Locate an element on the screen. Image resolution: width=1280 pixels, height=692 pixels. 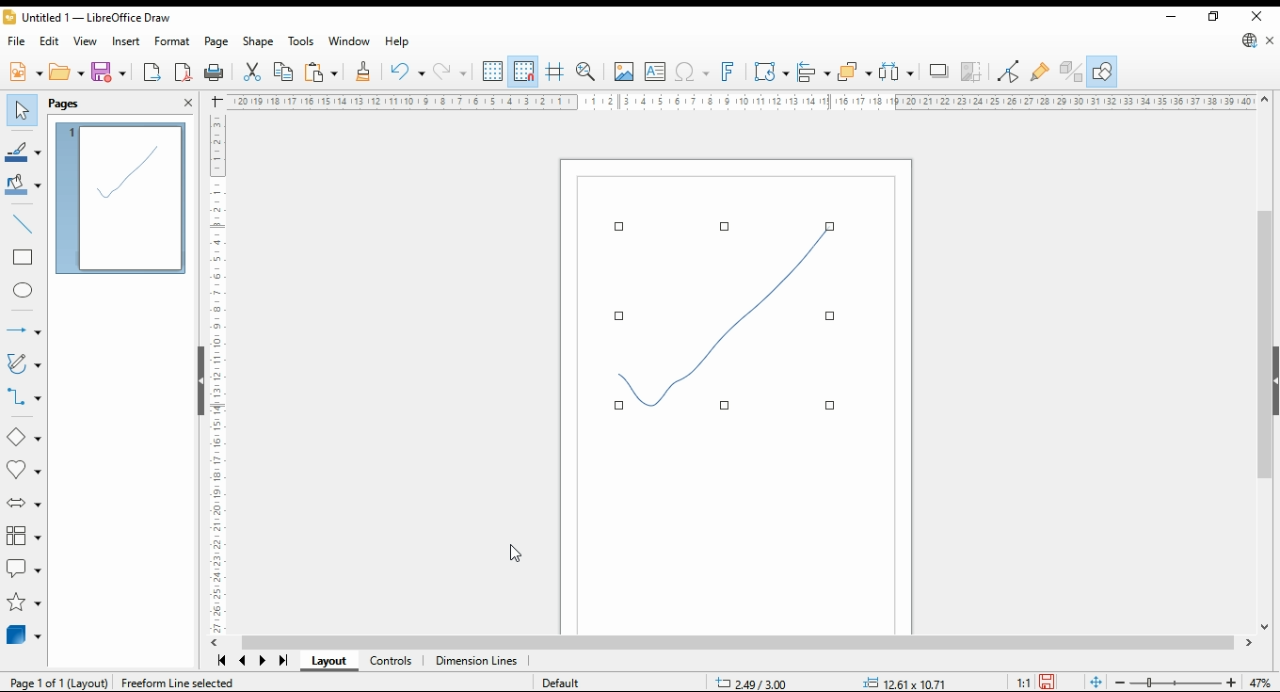
scroll bar is located at coordinates (1263, 366).